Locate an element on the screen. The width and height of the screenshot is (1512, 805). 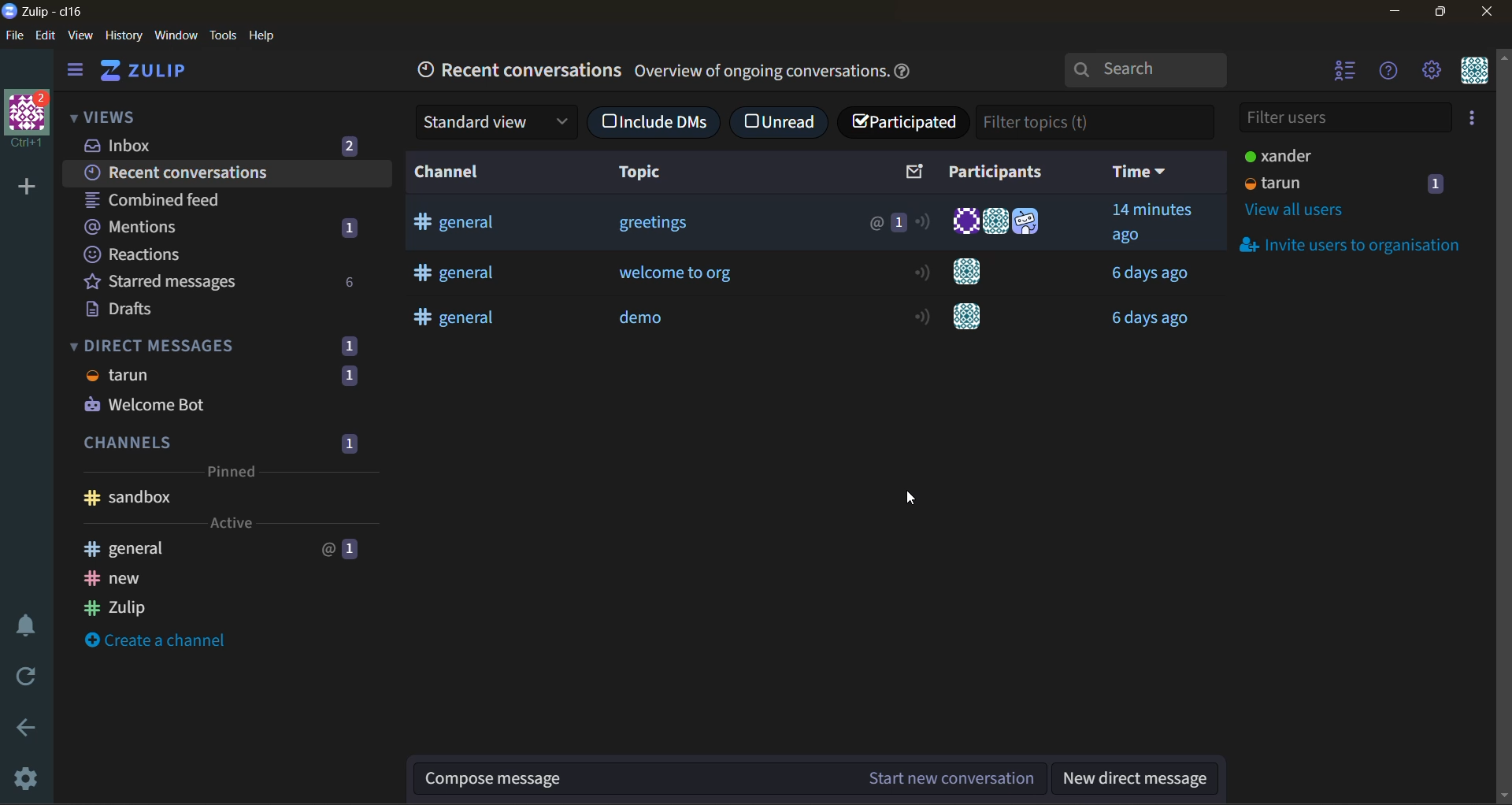
Zulip is located at coordinates (212, 607).